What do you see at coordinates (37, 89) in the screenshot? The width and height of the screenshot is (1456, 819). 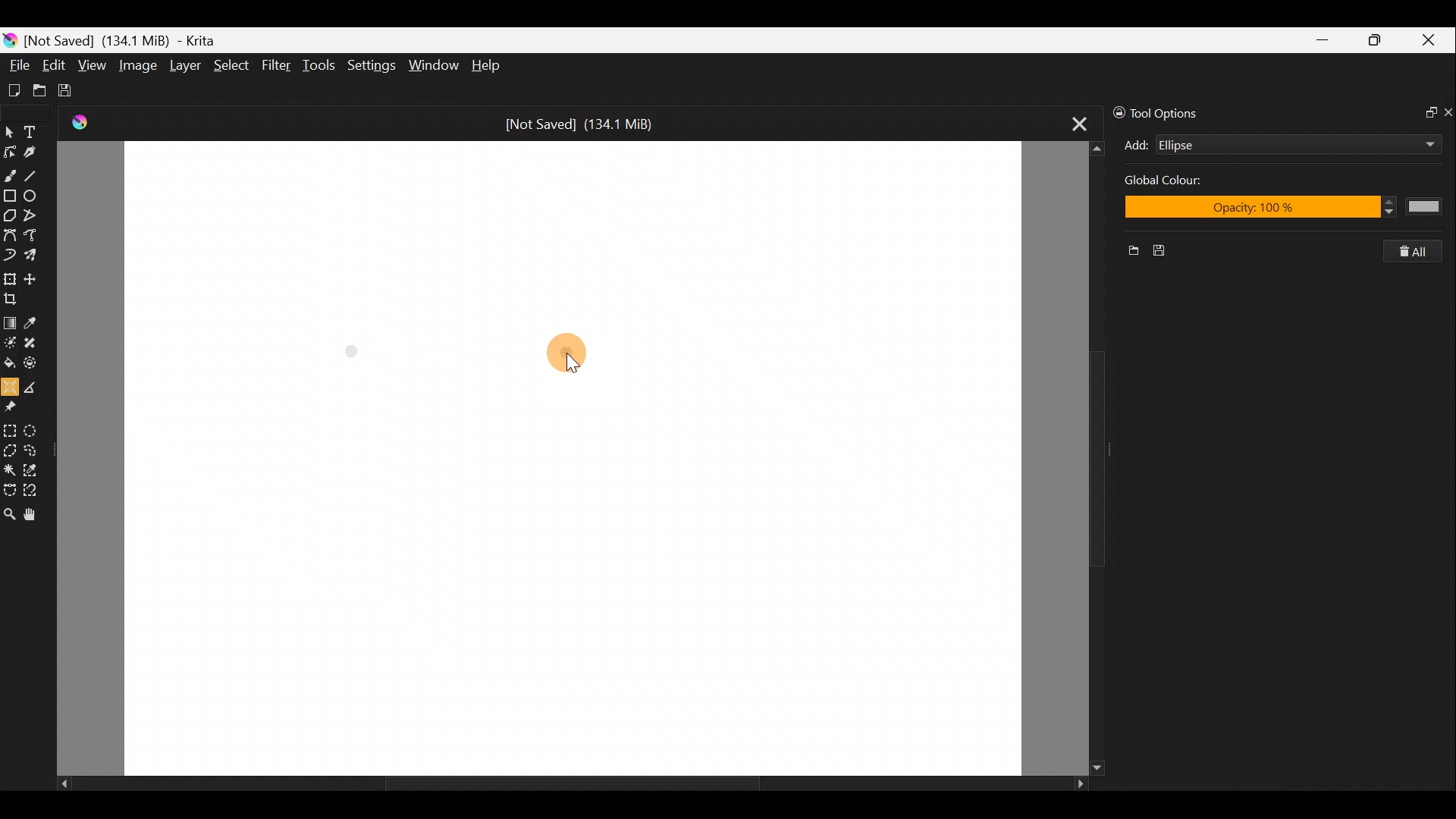 I see `Open existing document` at bounding box center [37, 89].